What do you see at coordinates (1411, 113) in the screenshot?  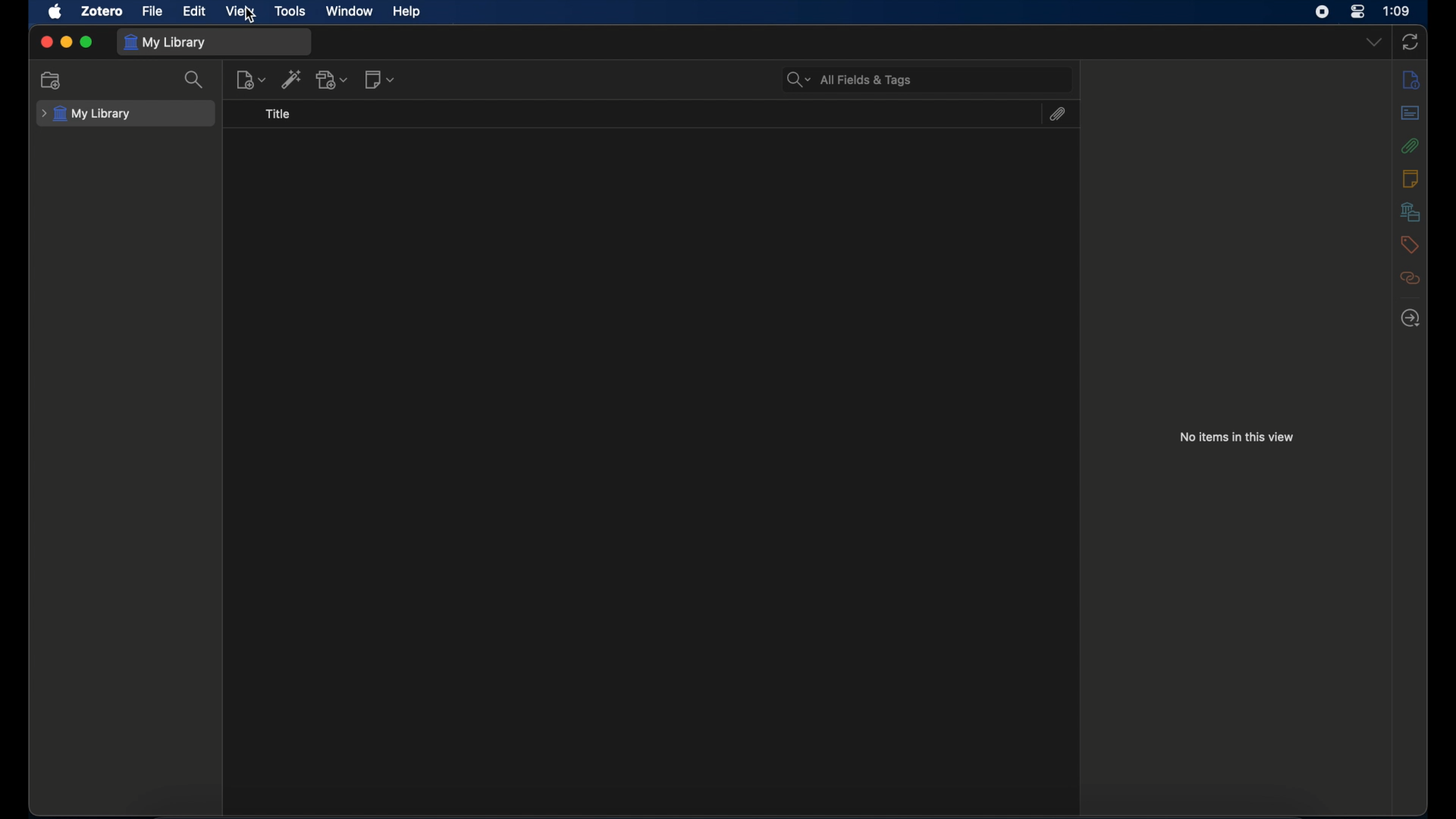 I see `abstract` at bounding box center [1411, 113].